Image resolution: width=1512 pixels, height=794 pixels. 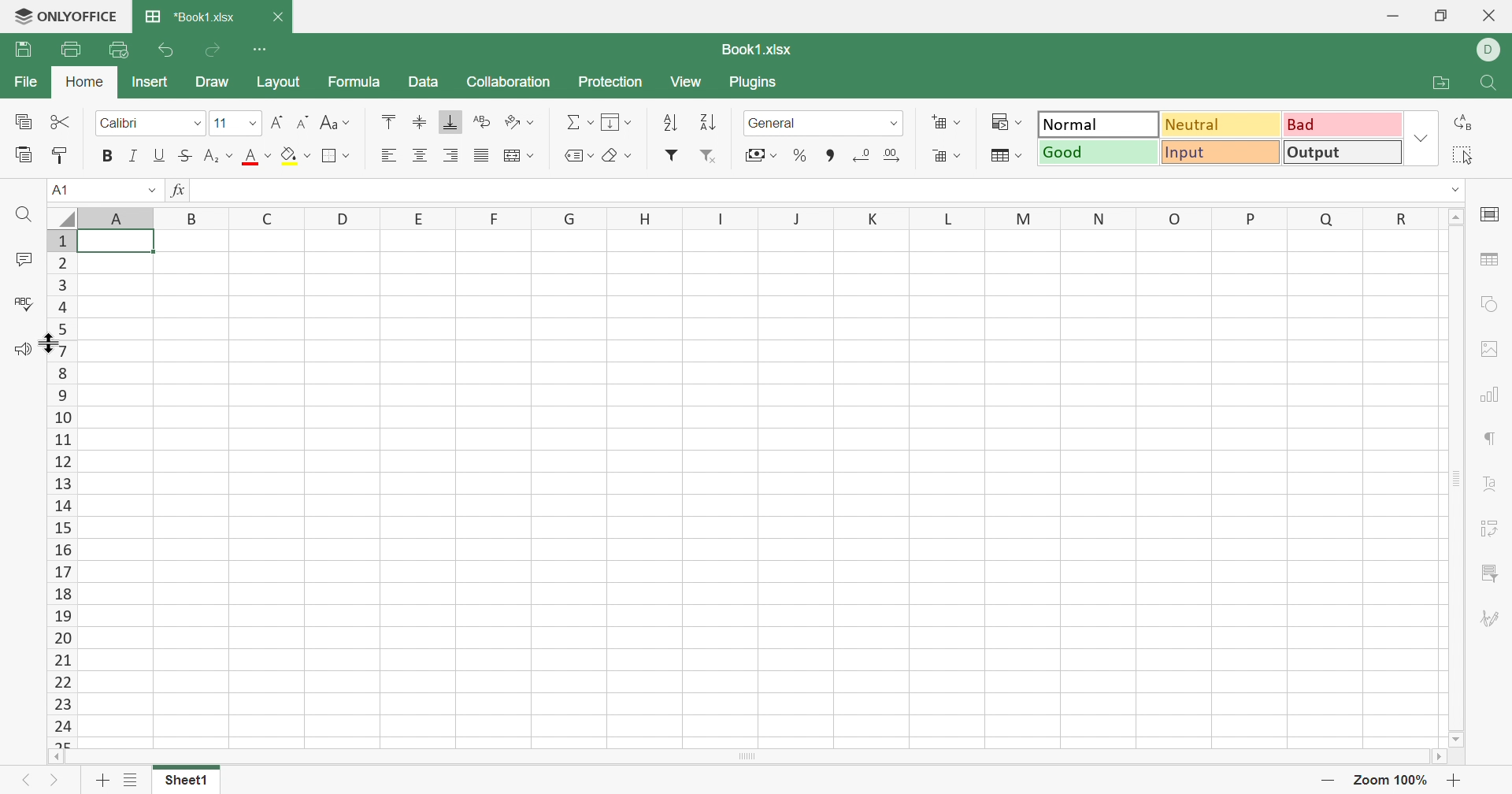 What do you see at coordinates (872, 159) in the screenshot?
I see `Decrease decimal` at bounding box center [872, 159].